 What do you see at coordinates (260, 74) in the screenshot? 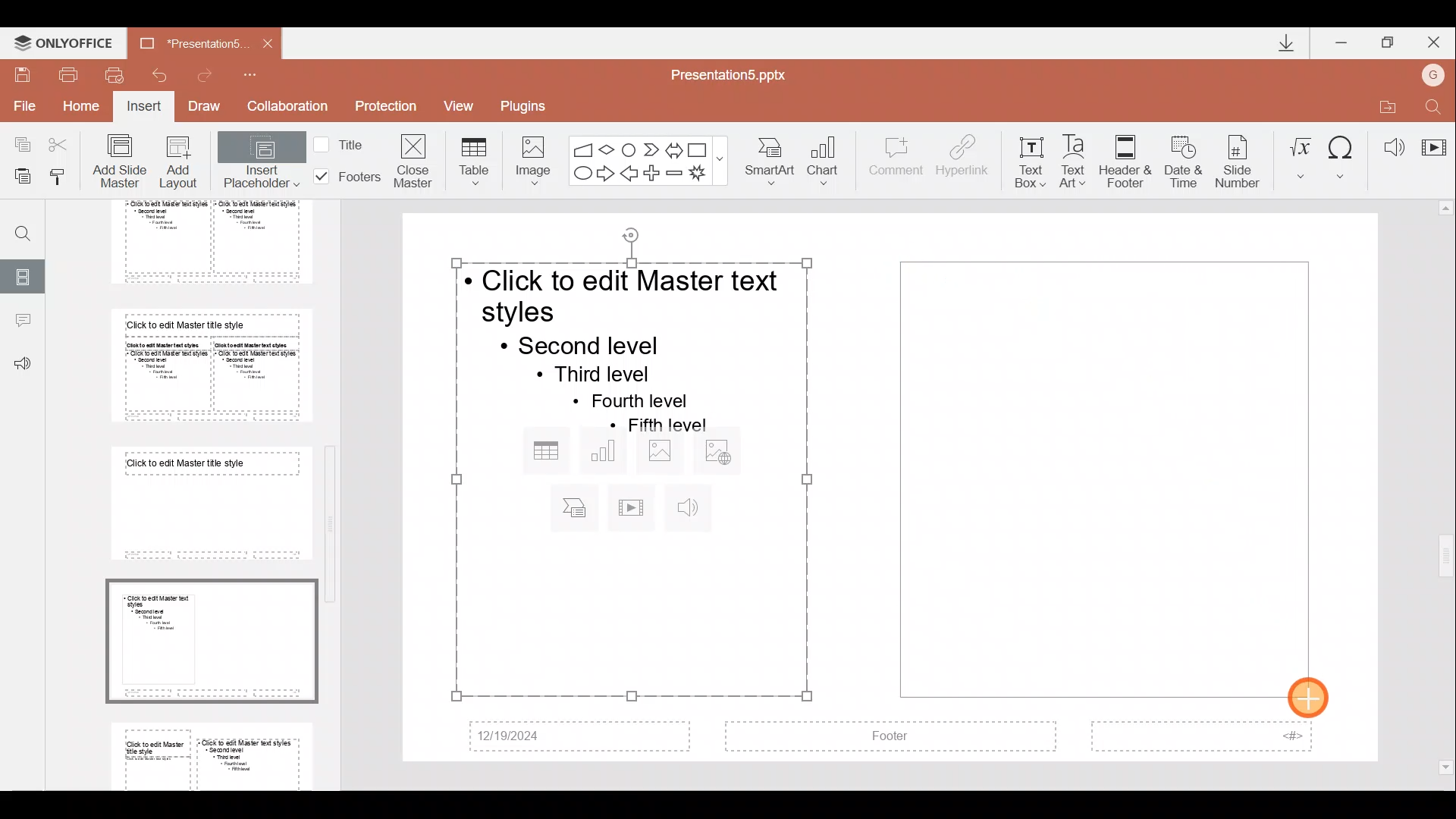
I see `Customize quick access toolbar` at bounding box center [260, 74].